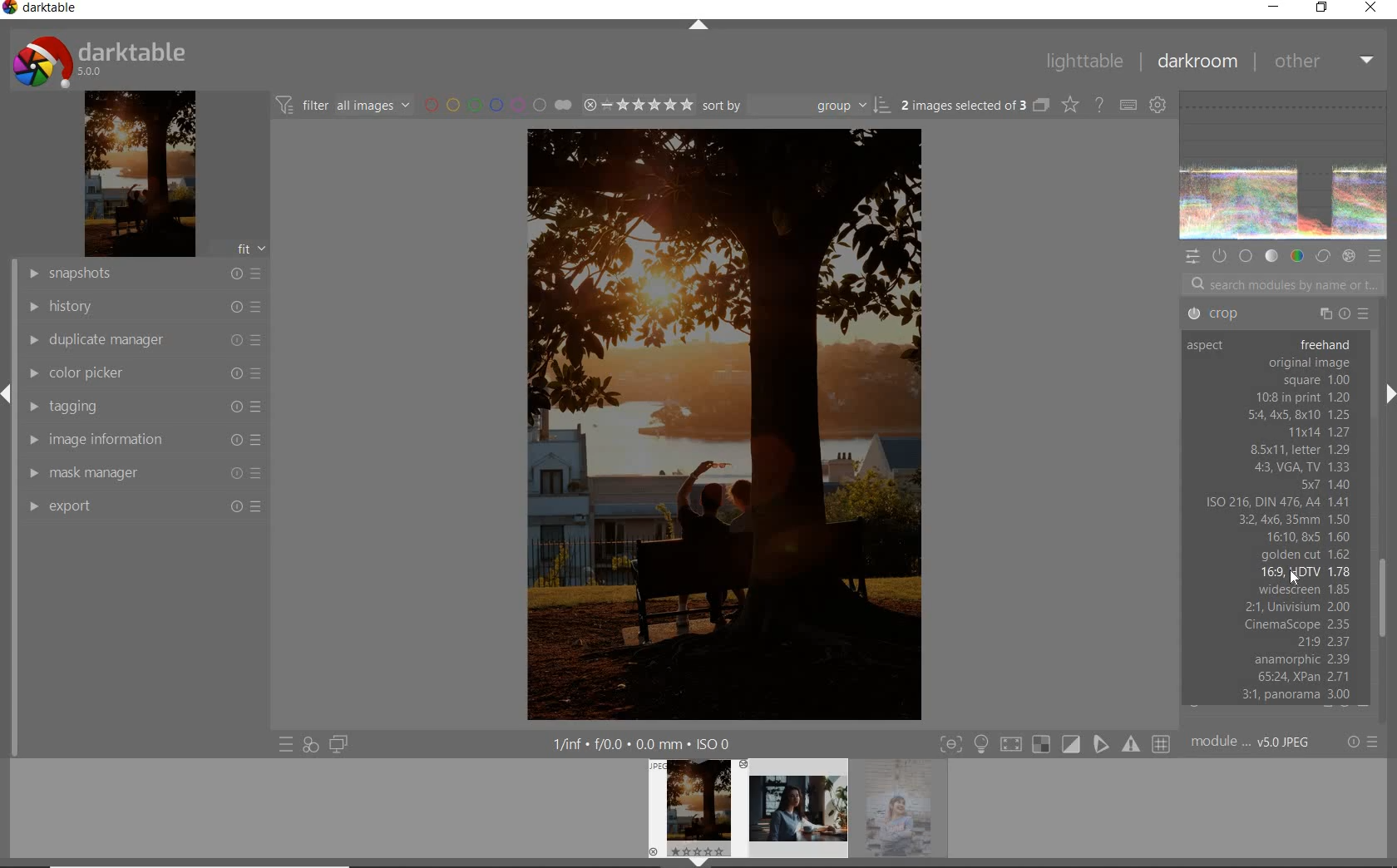 This screenshot has height=868, width=1397. I want to click on minimize, so click(1273, 6).